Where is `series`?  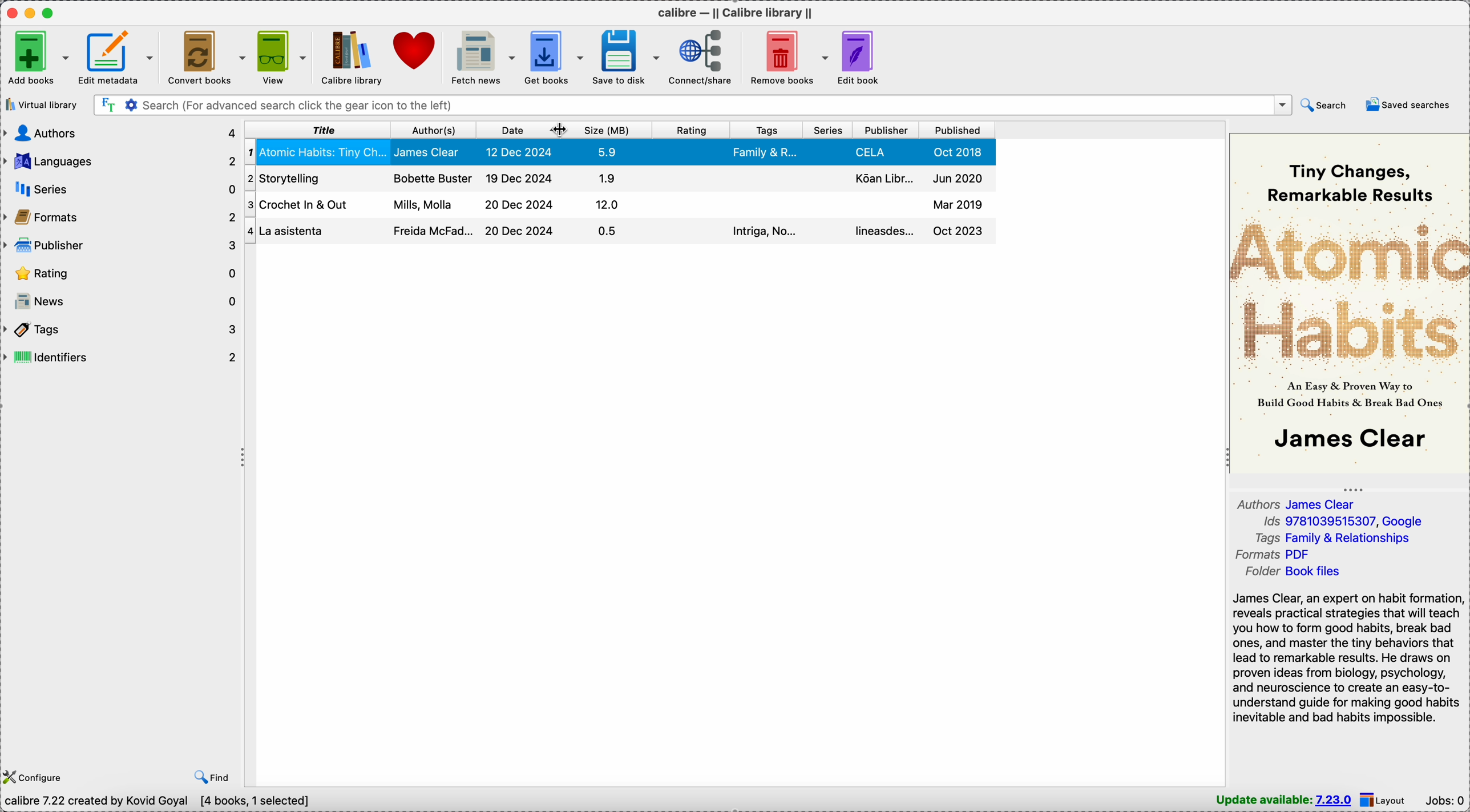 series is located at coordinates (830, 130).